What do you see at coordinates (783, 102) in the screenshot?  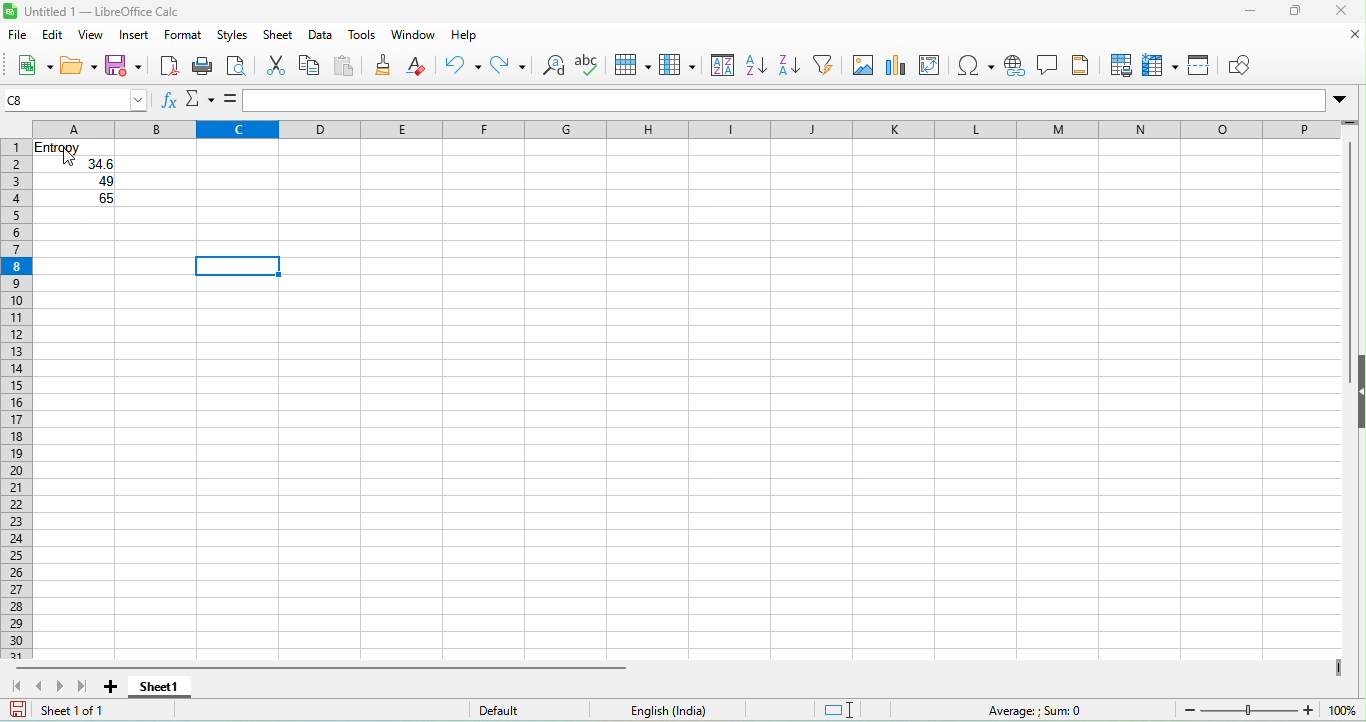 I see `formula bar` at bounding box center [783, 102].